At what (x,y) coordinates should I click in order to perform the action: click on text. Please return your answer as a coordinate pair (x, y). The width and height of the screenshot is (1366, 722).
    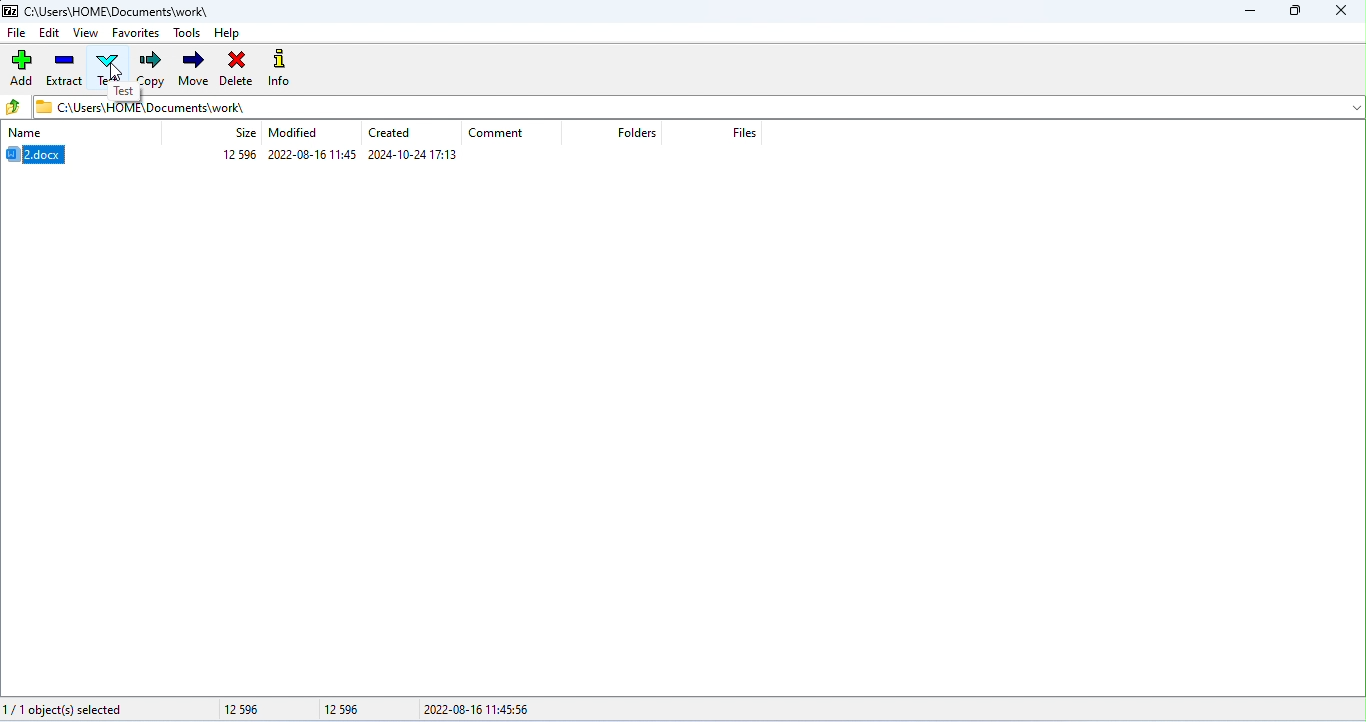
    Looking at the image, I should click on (110, 65).